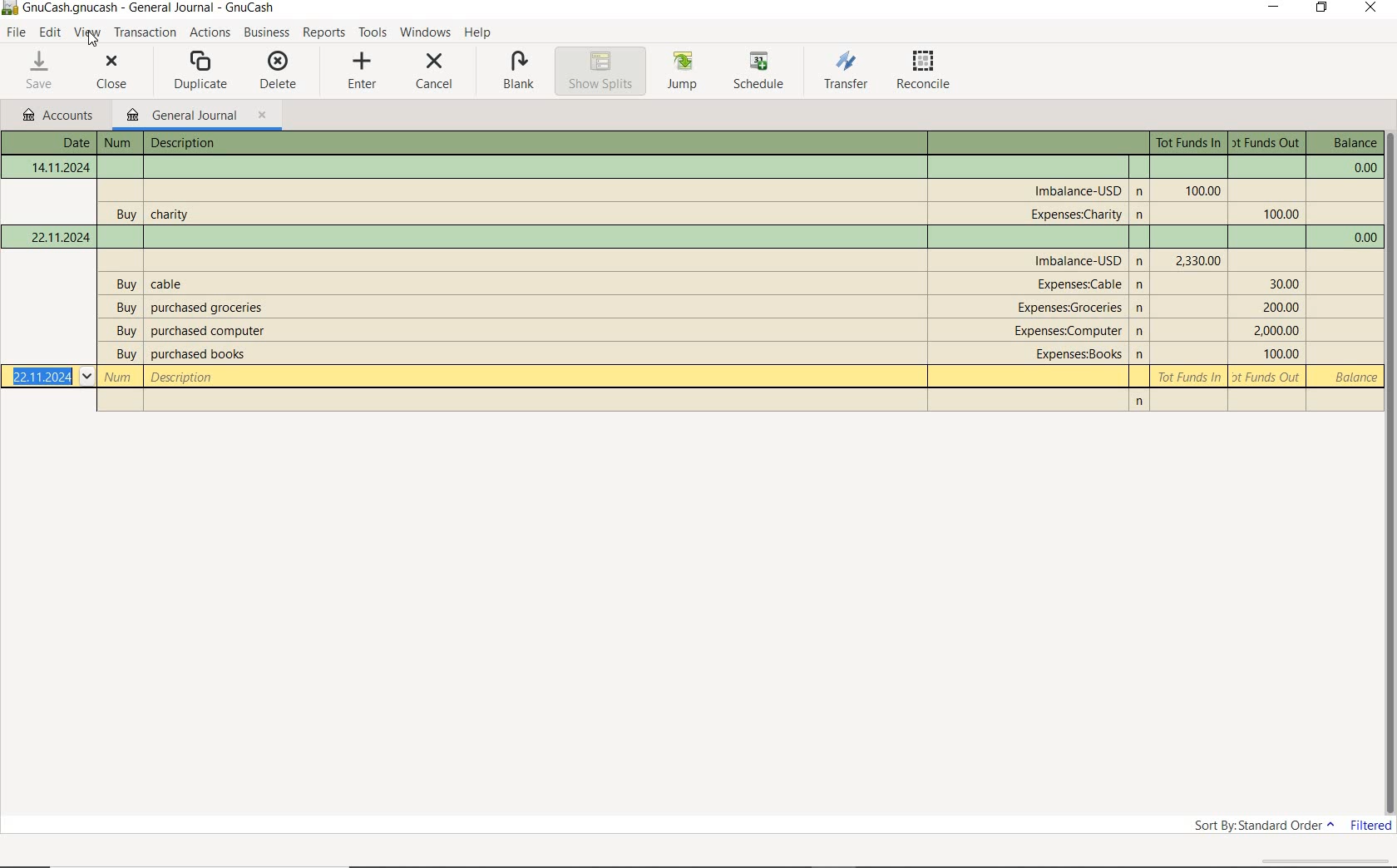 This screenshot has width=1397, height=868. Describe the element at coordinates (683, 70) in the screenshot. I see `JUMP` at that location.